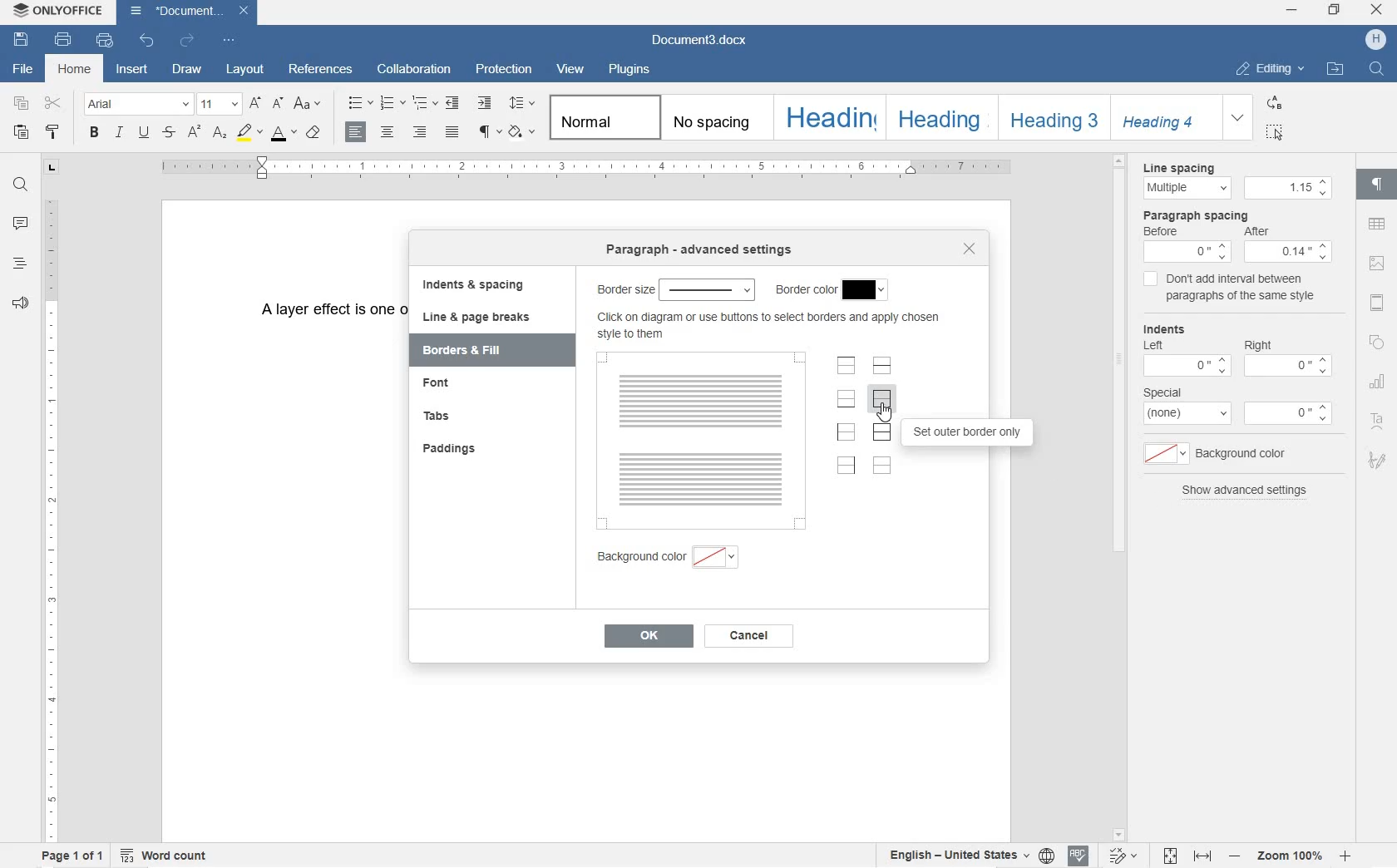 This screenshot has width=1397, height=868. Describe the element at coordinates (72, 854) in the screenshot. I see `PAGE 1 OF 1` at that location.